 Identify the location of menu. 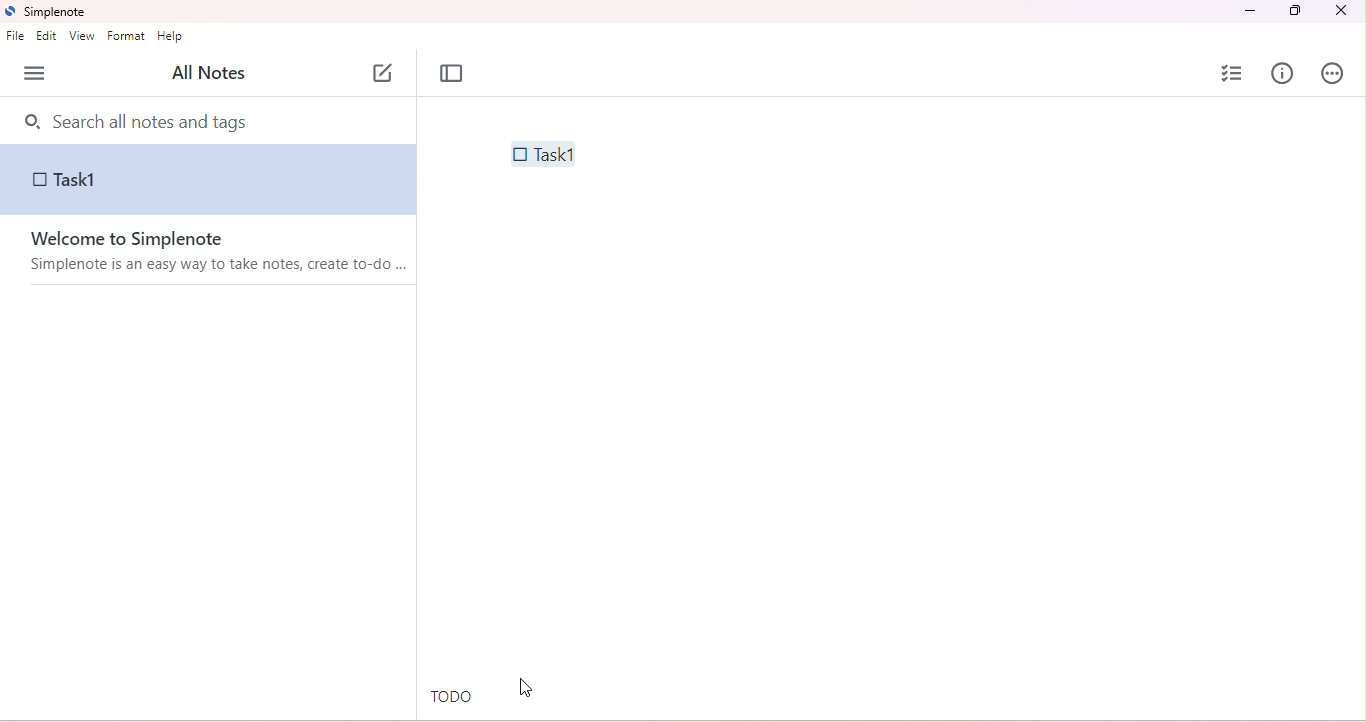
(35, 74).